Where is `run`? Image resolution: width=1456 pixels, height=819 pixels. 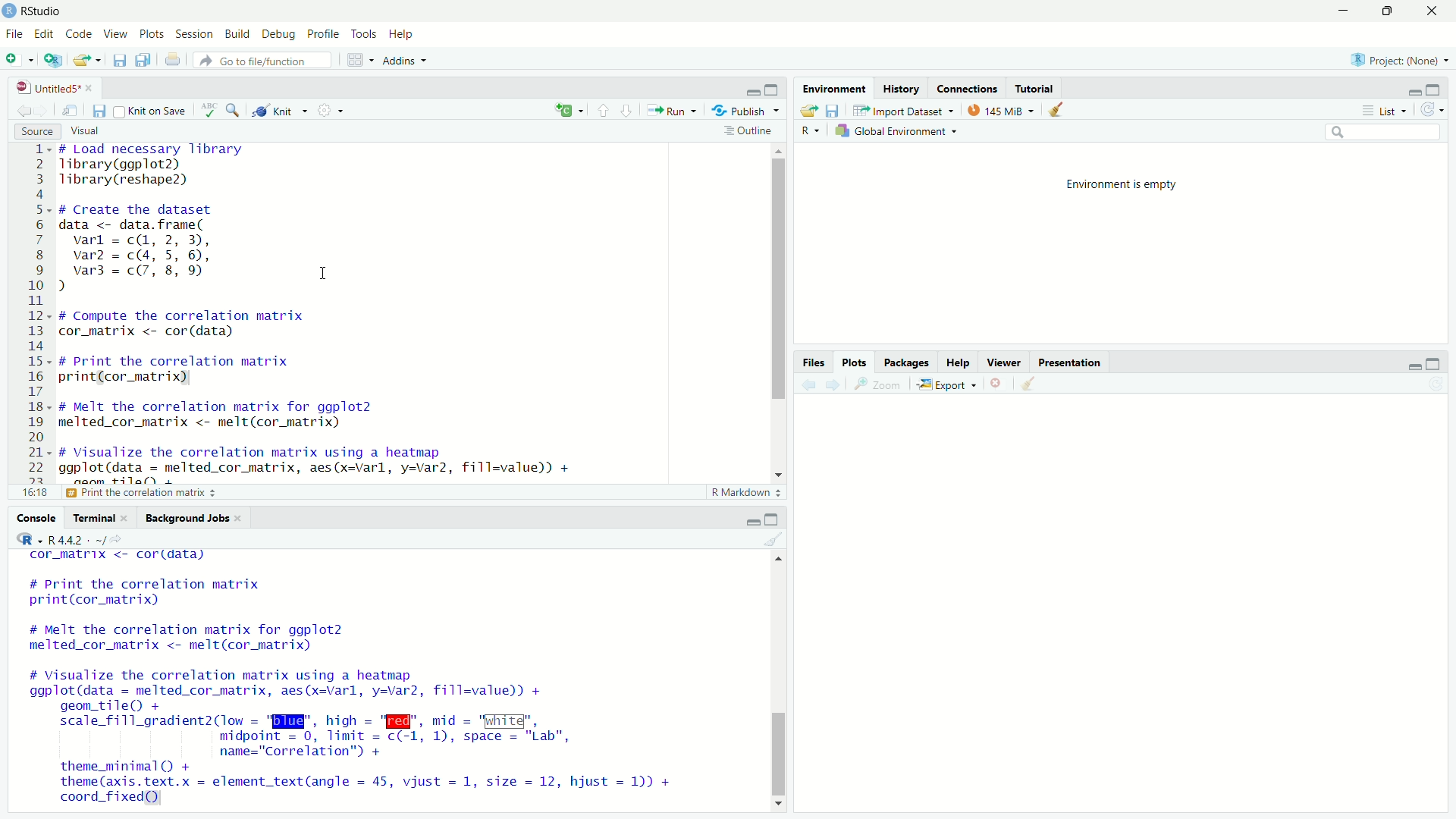 run is located at coordinates (670, 111).